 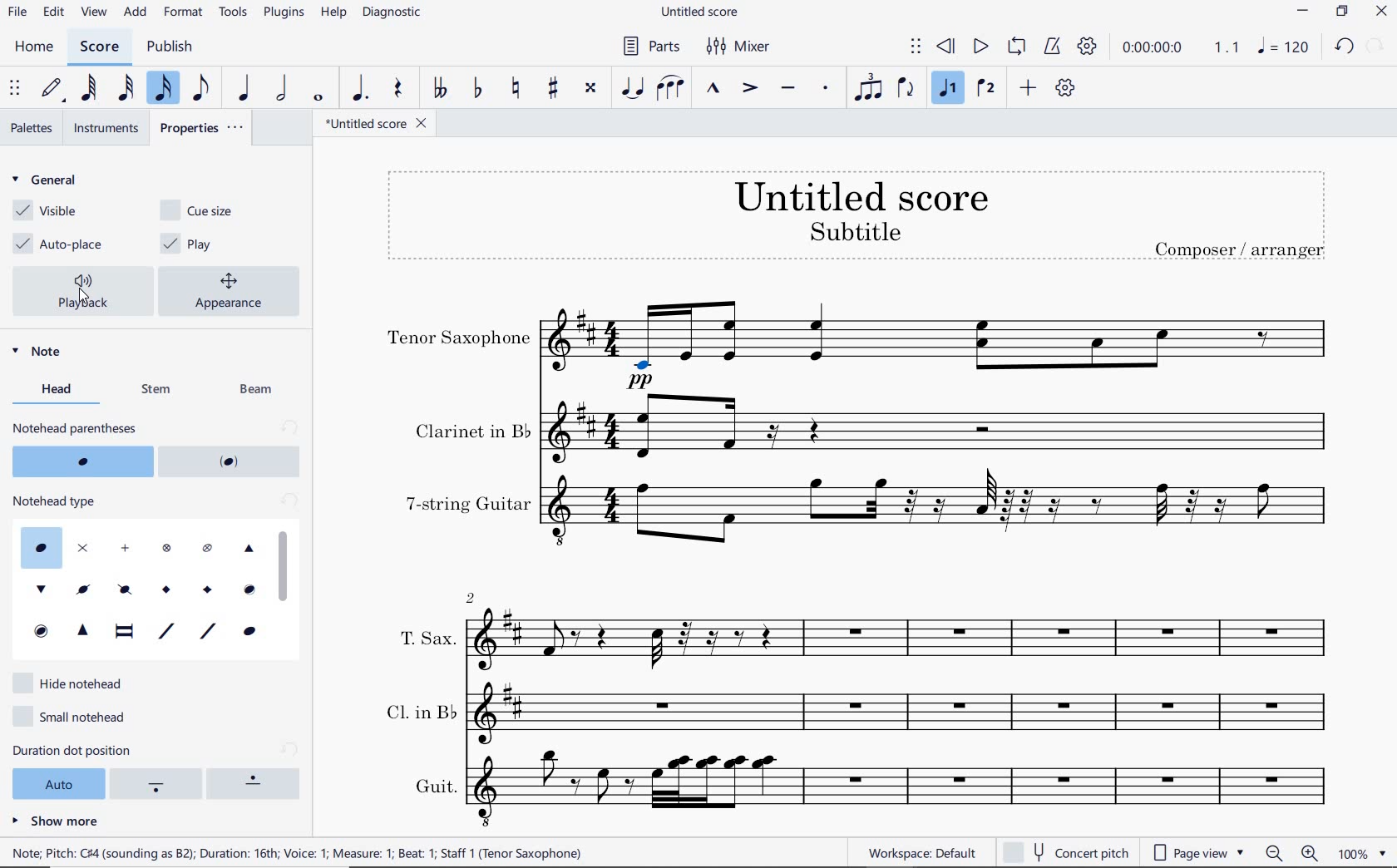 I want to click on FLIP DIRECTION, so click(x=910, y=88).